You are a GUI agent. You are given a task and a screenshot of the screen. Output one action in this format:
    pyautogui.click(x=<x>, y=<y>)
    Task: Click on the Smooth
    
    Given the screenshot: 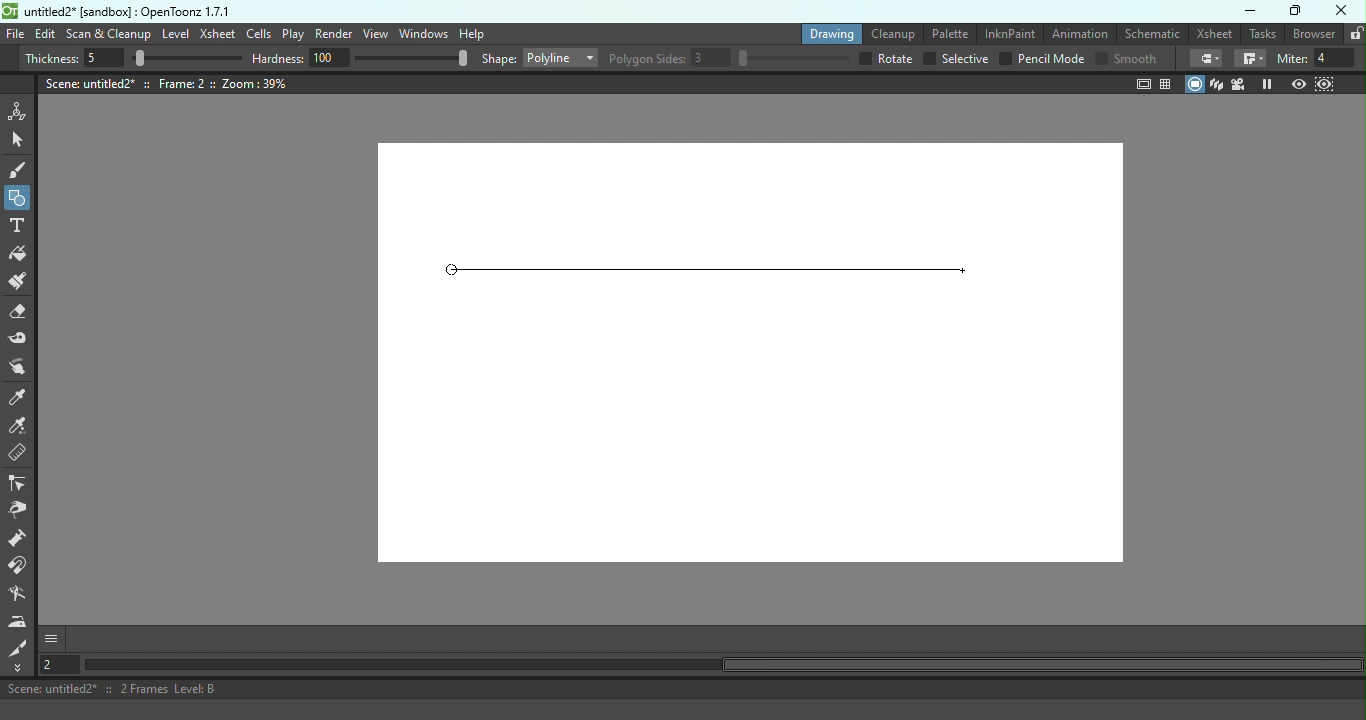 What is the action you would take?
    pyautogui.click(x=1128, y=59)
    